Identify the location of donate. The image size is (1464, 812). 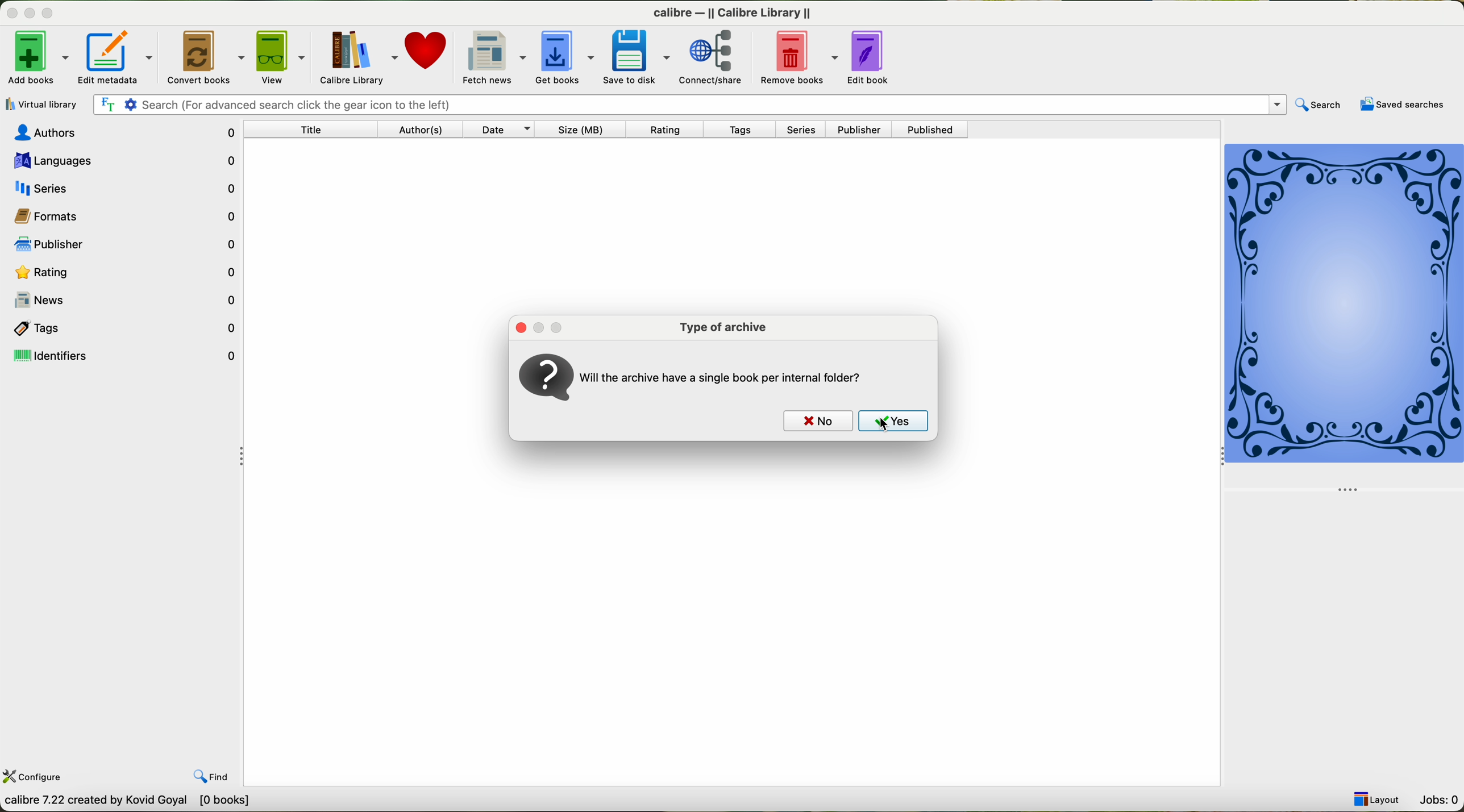
(426, 53).